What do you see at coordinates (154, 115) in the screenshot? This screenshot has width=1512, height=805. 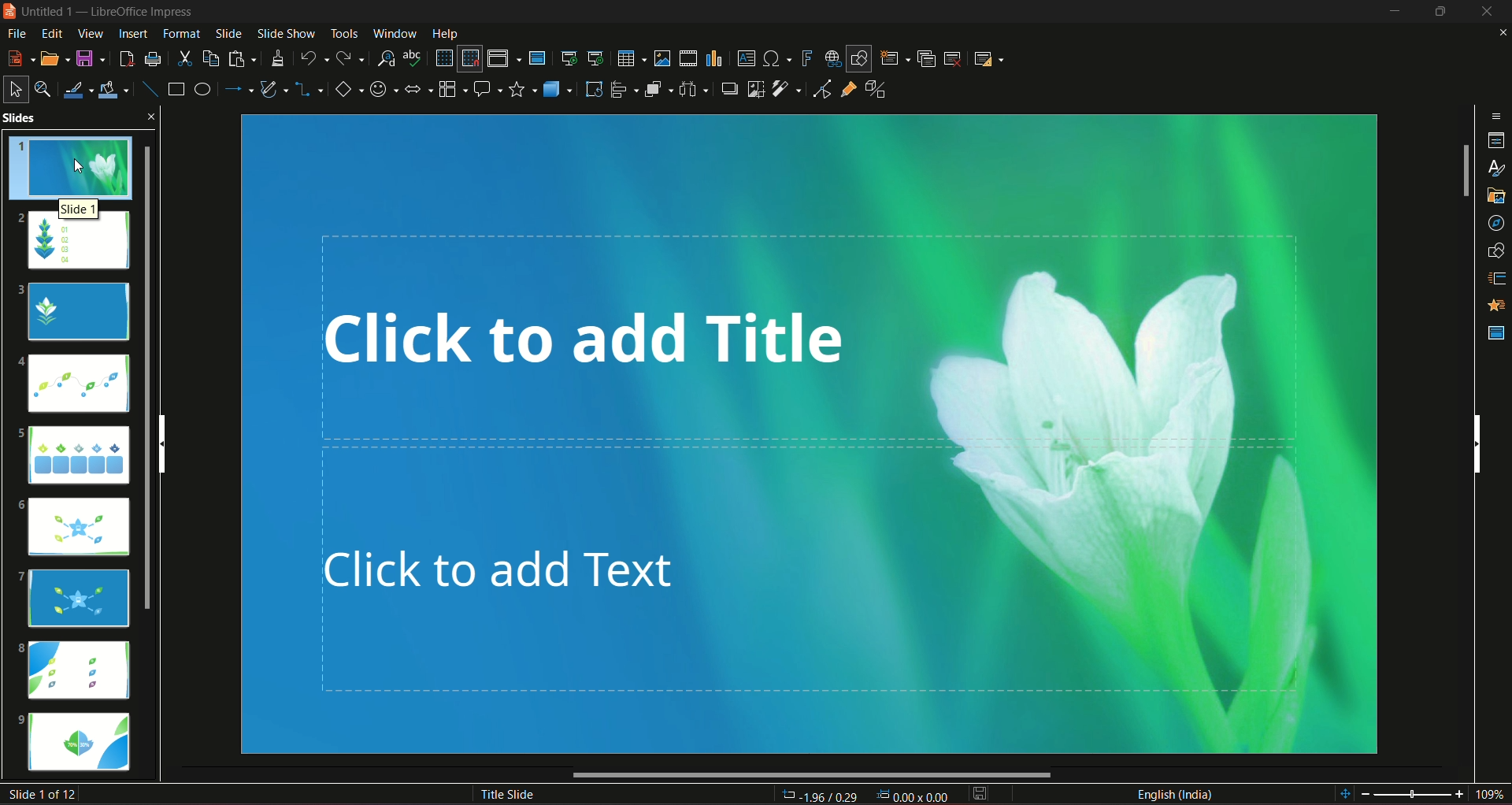 I see `close` at bounding box center [154, 115].